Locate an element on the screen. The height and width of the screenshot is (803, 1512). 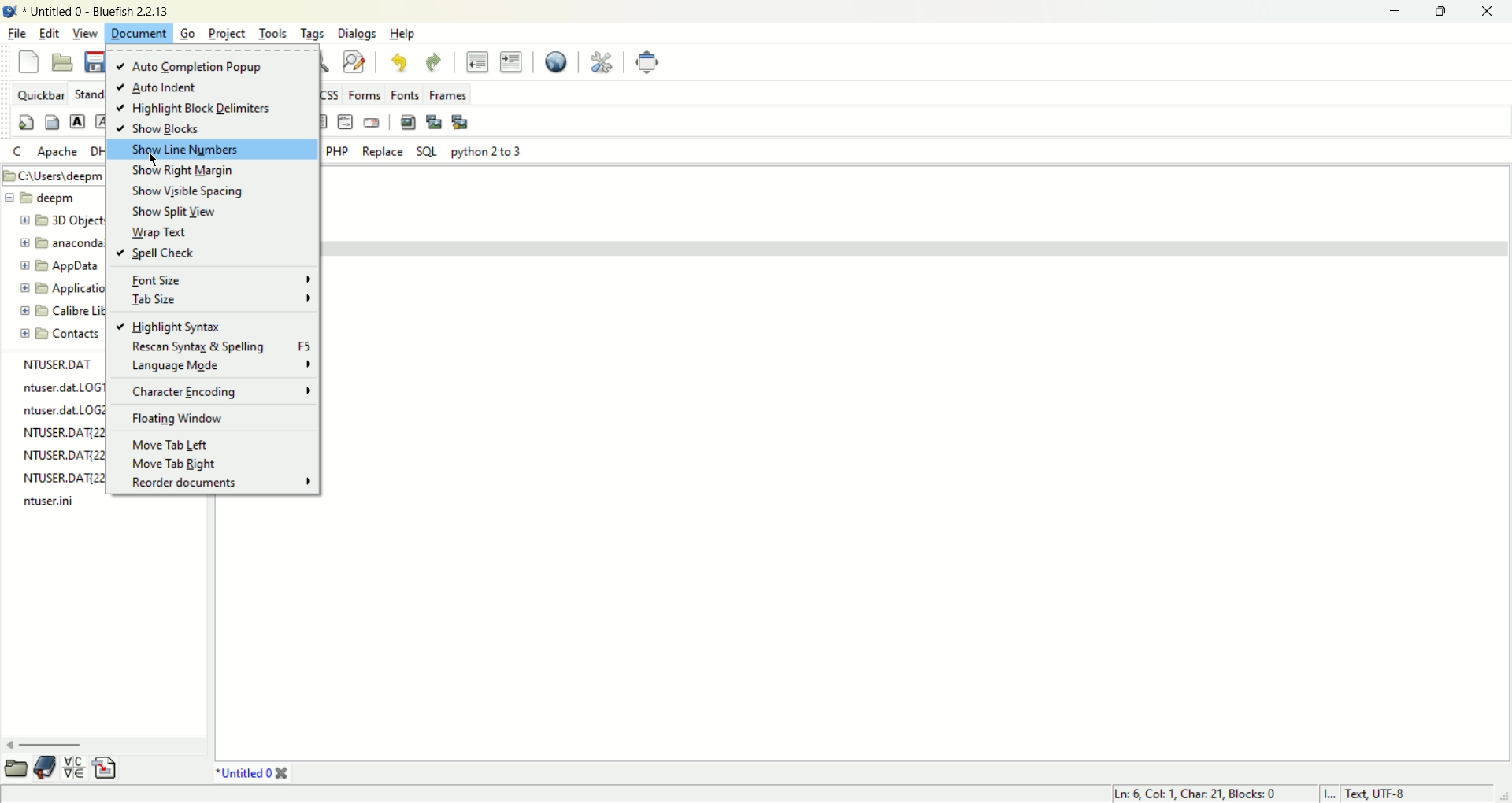
character encoding is located at coordinates (220, 391).